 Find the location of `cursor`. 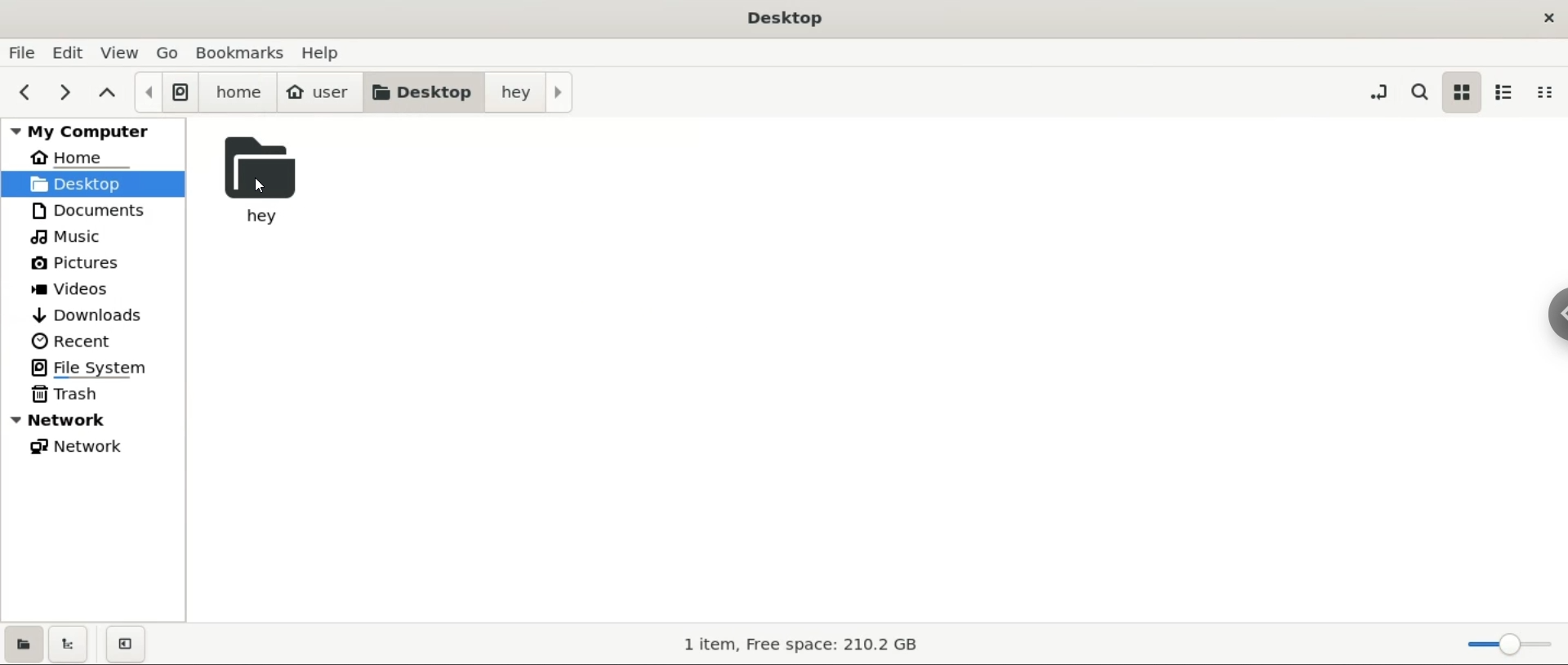

cursor is located at coordinates (265, 187).